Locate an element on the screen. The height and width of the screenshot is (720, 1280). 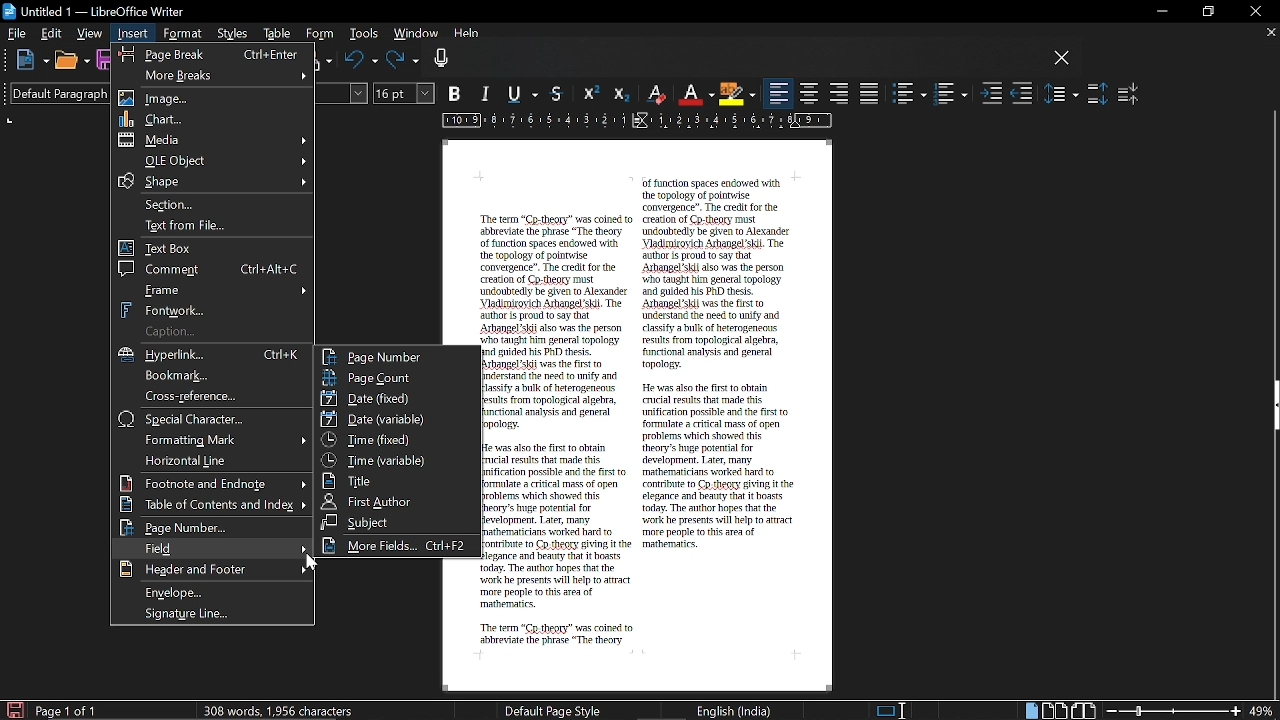
Decrease indent is located at coordinates (1022, 95).